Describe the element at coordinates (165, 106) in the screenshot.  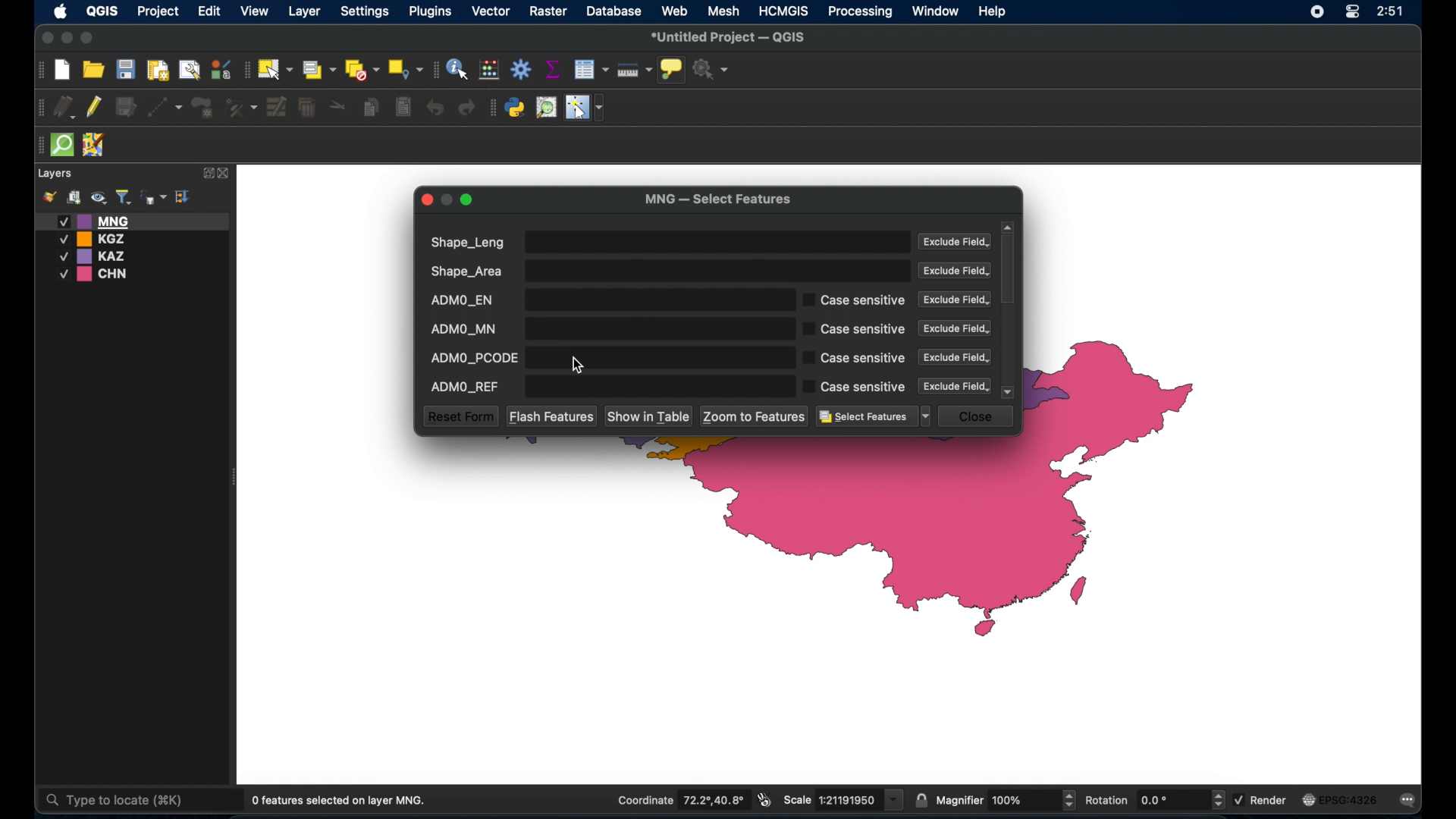
I see `digitize with segment` at that location.